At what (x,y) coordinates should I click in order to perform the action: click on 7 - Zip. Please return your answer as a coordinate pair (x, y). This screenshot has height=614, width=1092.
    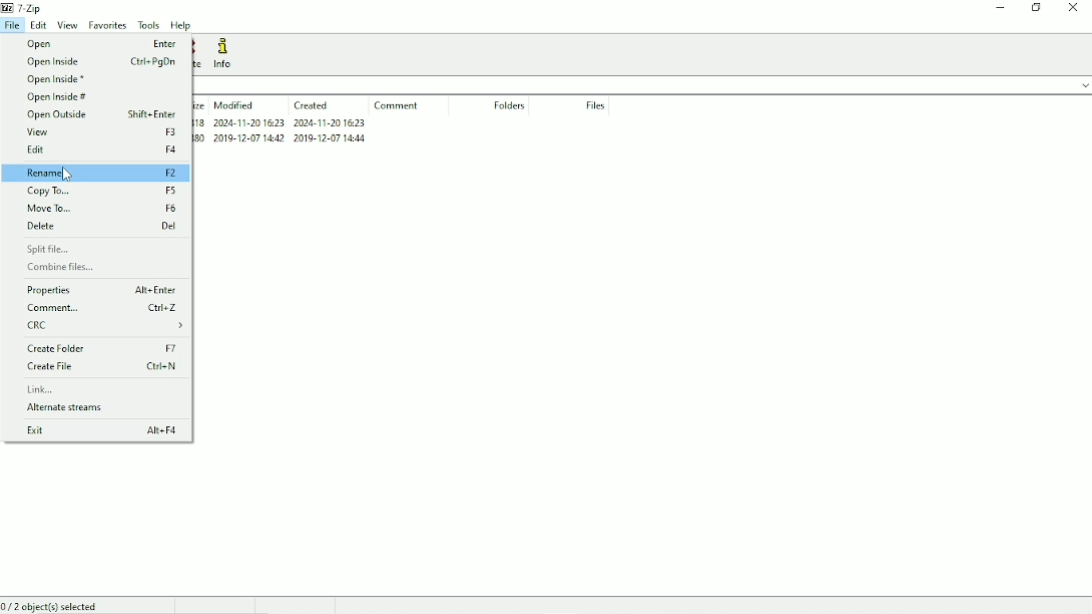
    Looking at the image, I should click on (25, 7).